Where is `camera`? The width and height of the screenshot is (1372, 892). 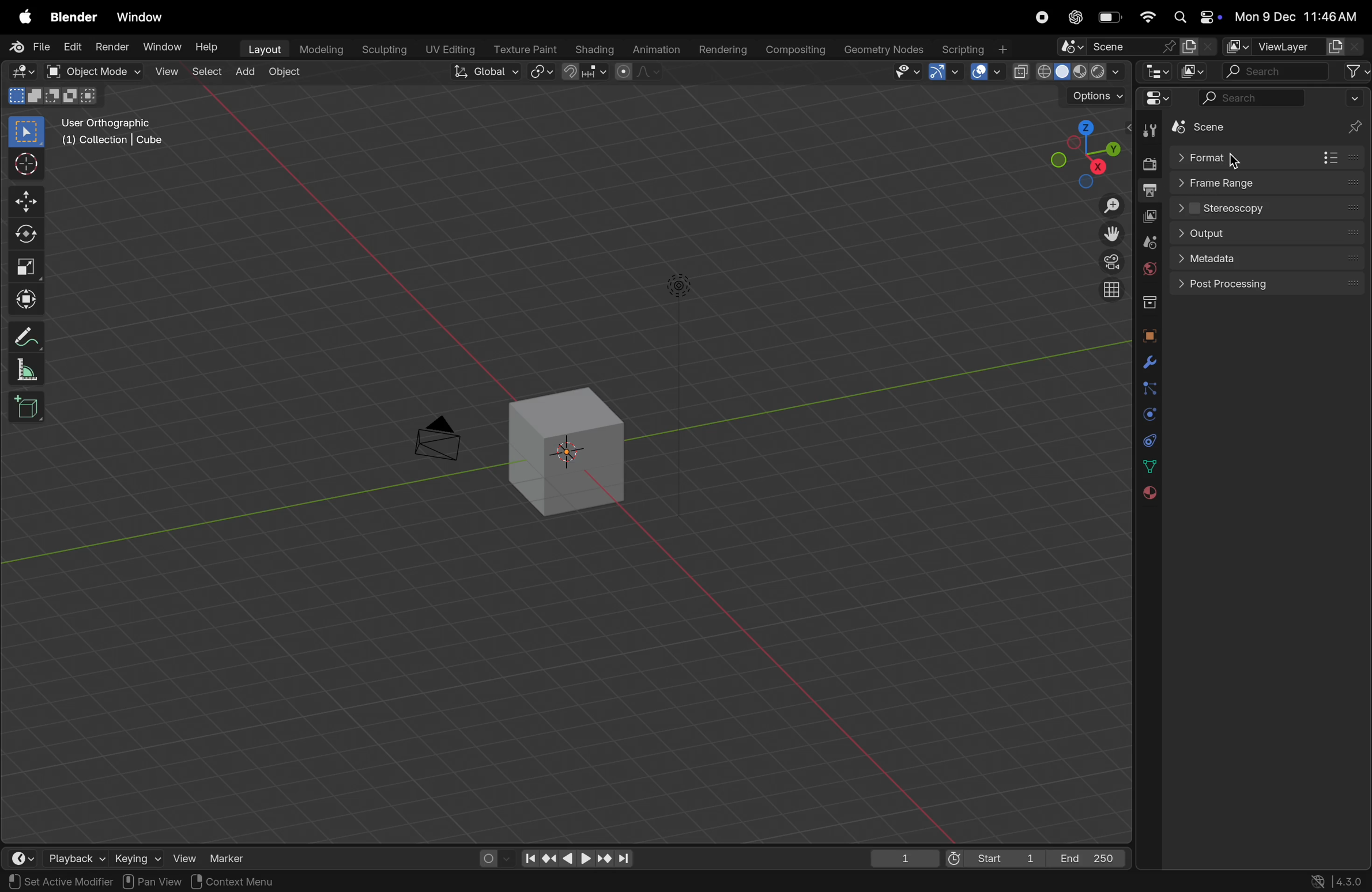 camera is located at coordinates (444, 434).